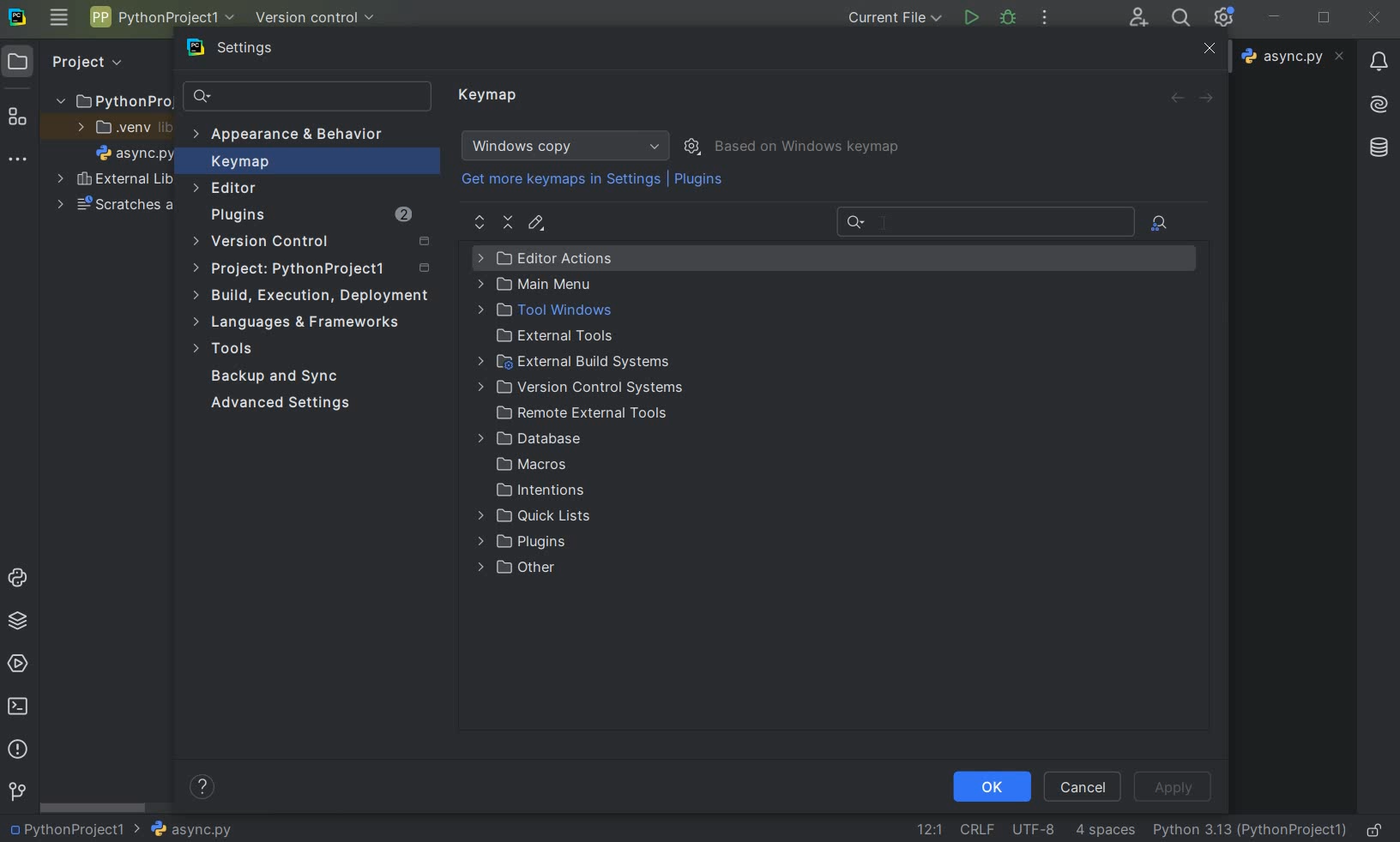 The image size is (1400, 842). I want to click on appearance & behavior, so click(296, 136).